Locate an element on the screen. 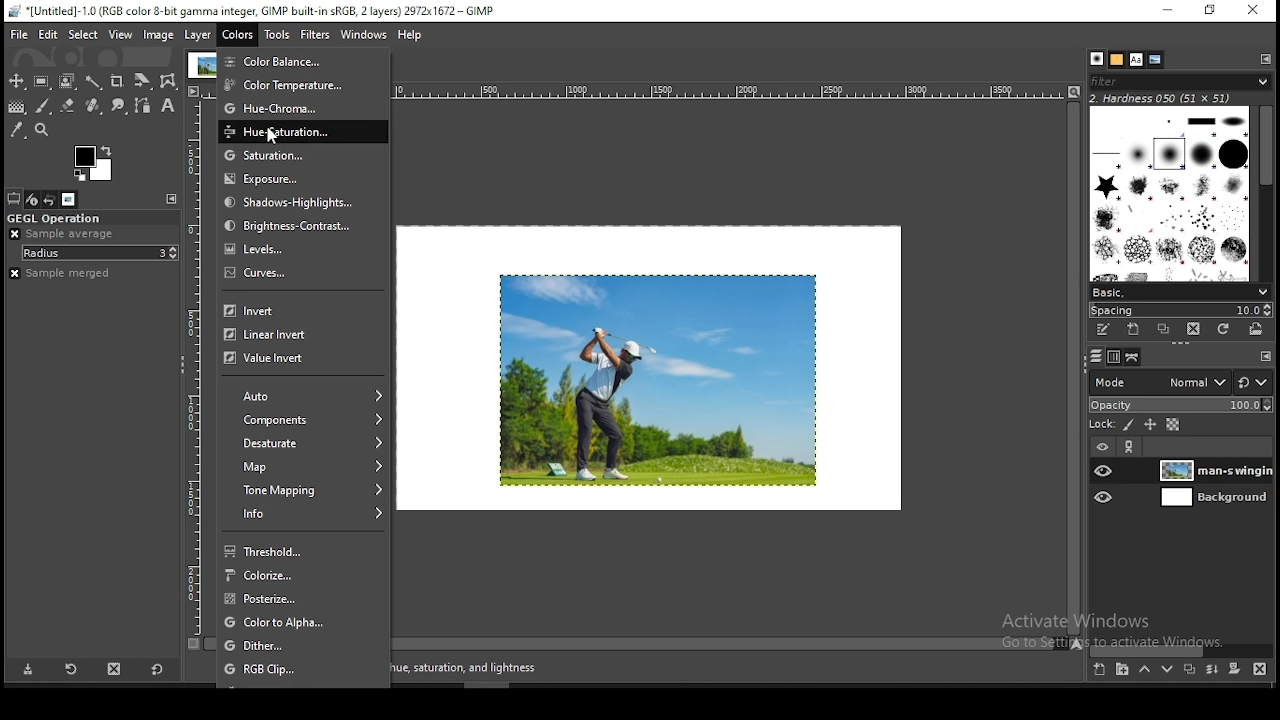 Image resolution: width=1280 pixels, height=720 pixels. dither is located at coordinates (305, 645).